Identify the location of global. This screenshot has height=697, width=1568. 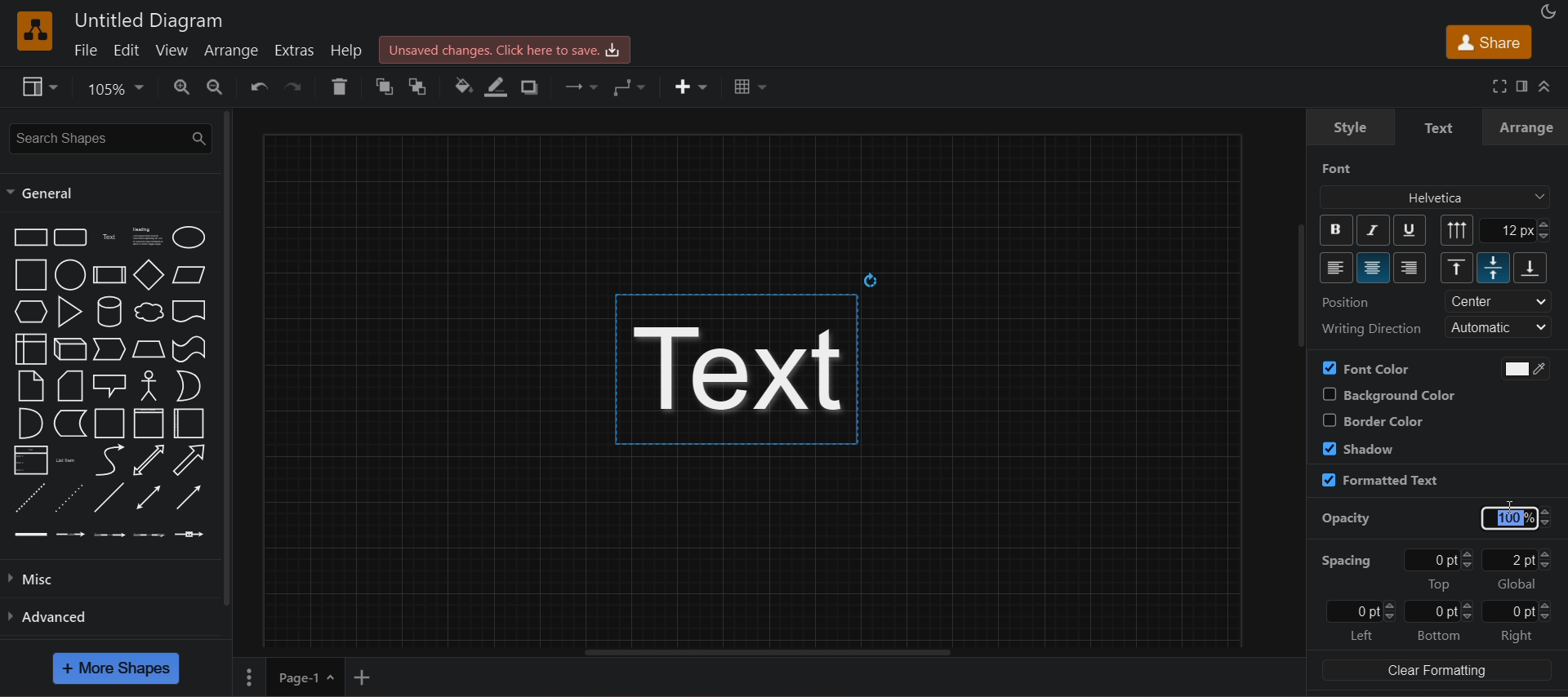
(1517, 584).